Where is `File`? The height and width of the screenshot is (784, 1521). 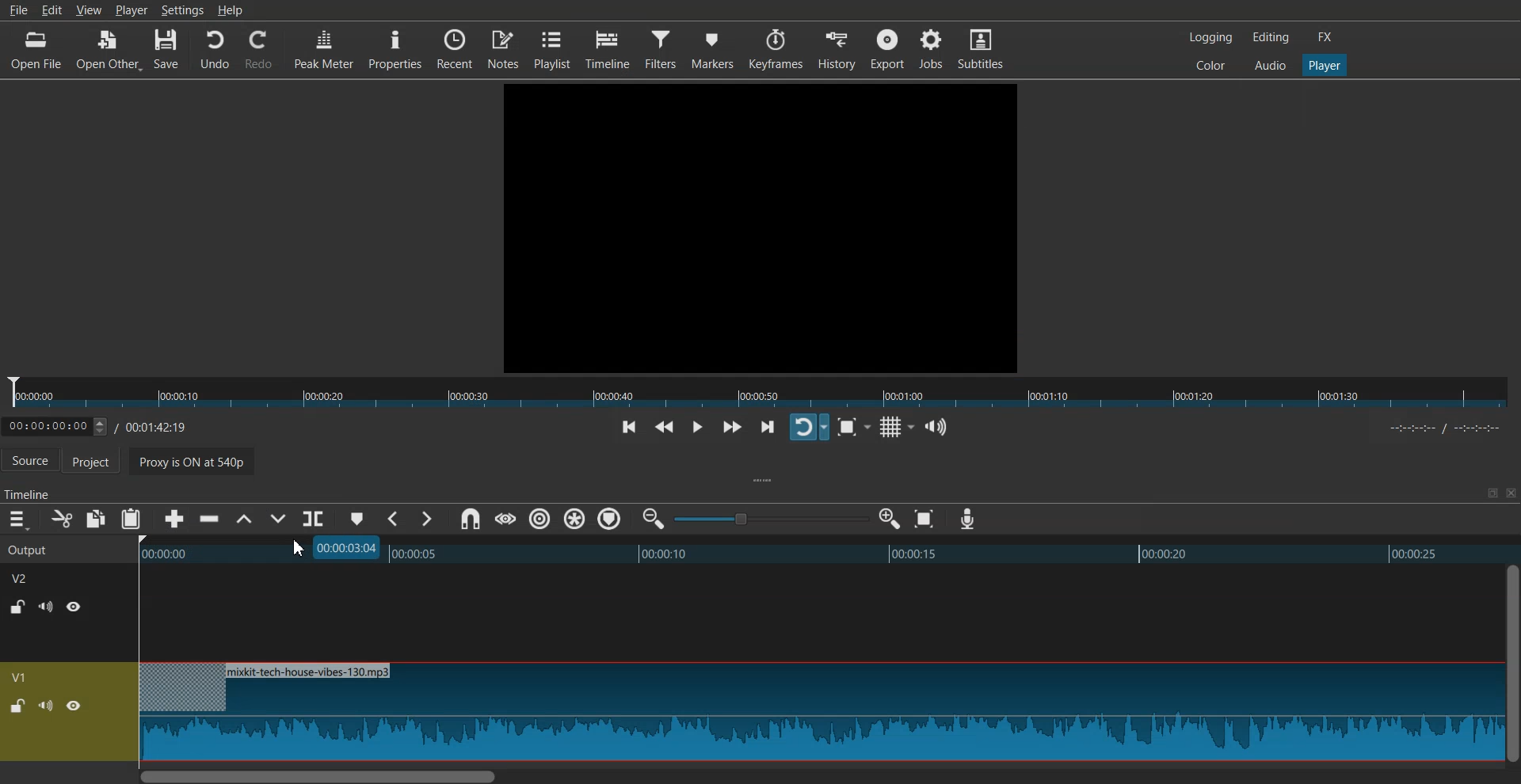
File is located at coordinates (17, 10).